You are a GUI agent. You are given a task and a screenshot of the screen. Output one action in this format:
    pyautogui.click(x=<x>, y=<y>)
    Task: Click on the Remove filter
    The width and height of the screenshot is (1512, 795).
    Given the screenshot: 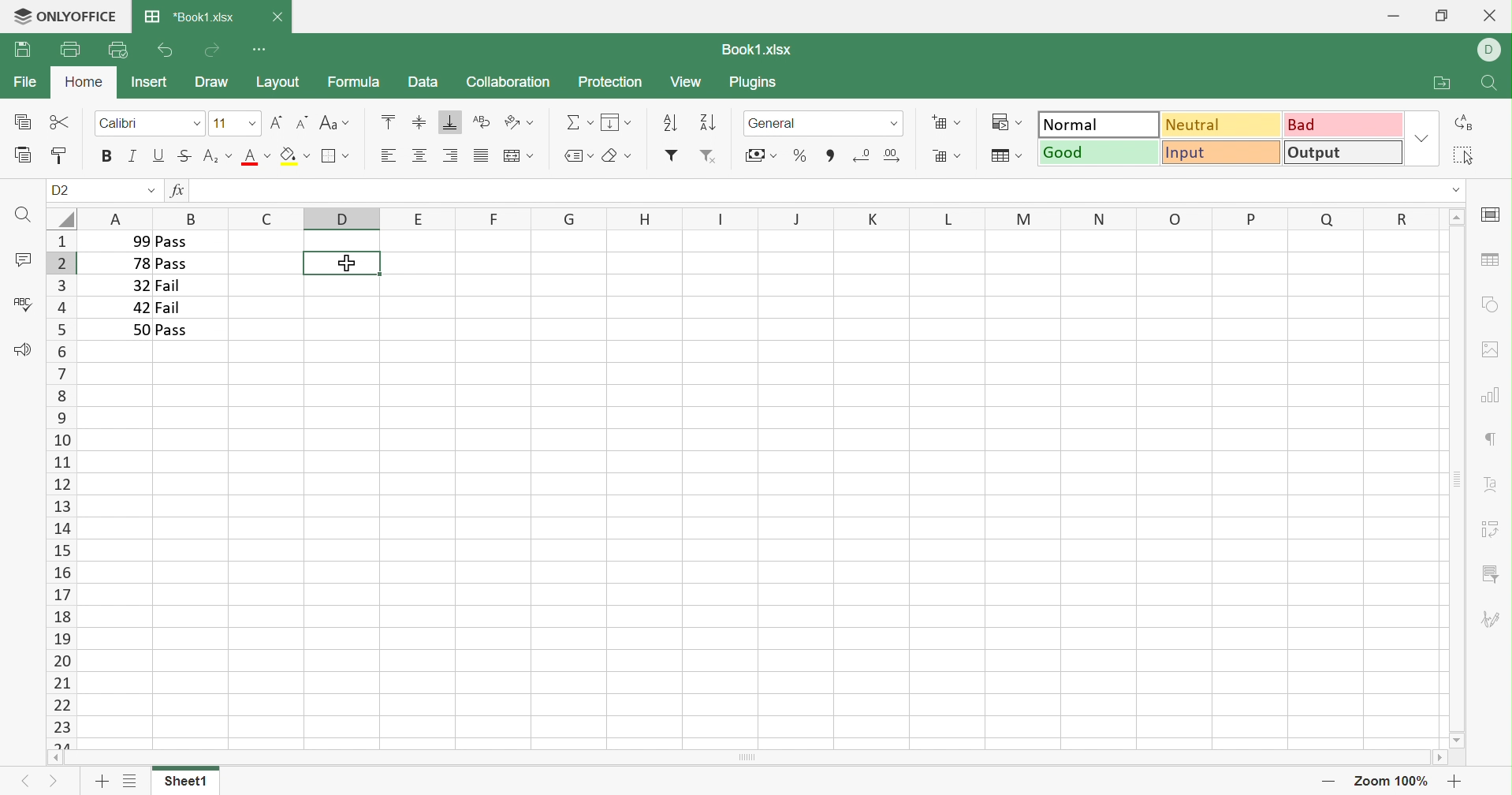 What is the action you would take?
    pyautogui.click(x=708, y=156)
    